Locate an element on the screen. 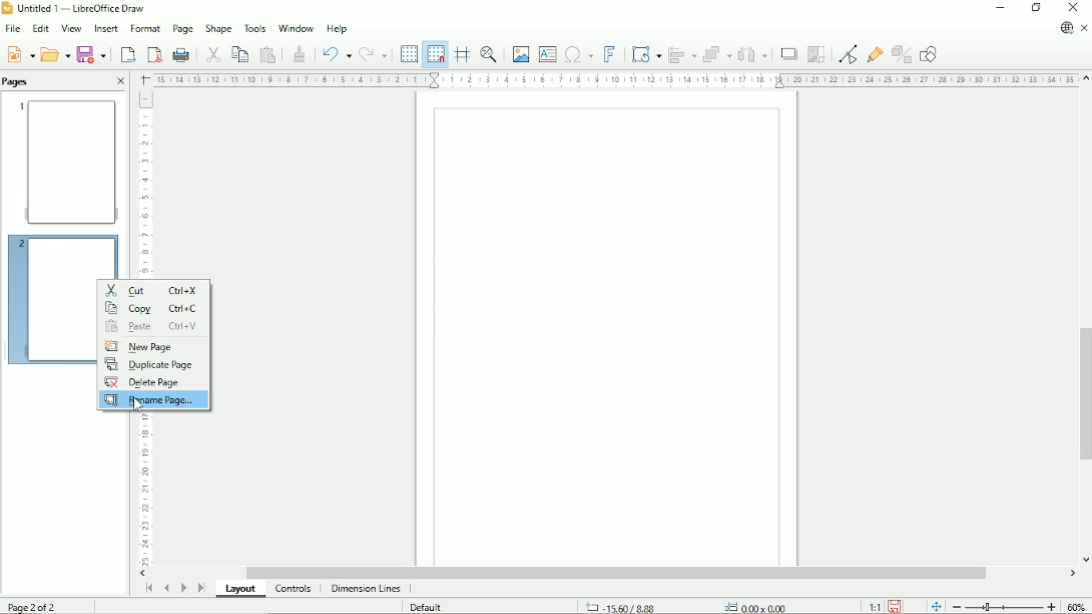 The width and height of the screenshot is (1092, 614). Dimension lines is located at coordinates (365, 589).